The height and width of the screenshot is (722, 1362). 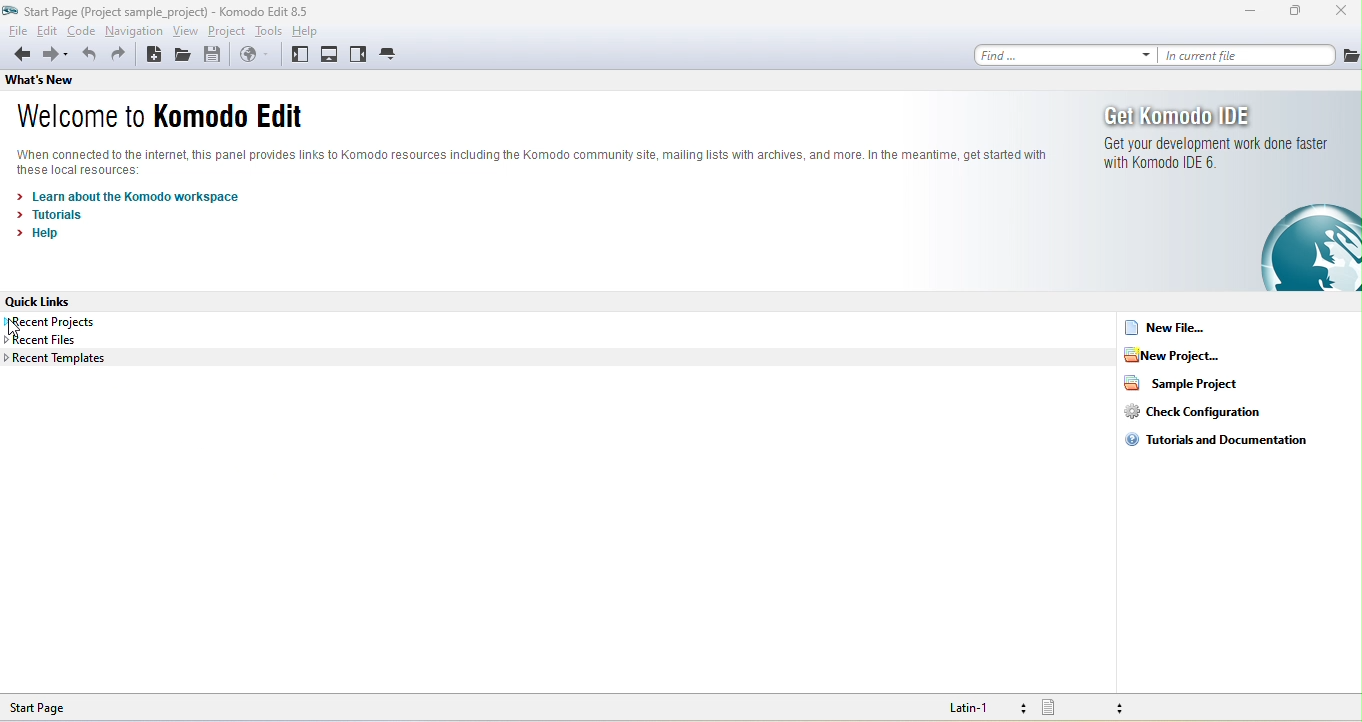 I want to click on forward, so click(x=58, y=54).